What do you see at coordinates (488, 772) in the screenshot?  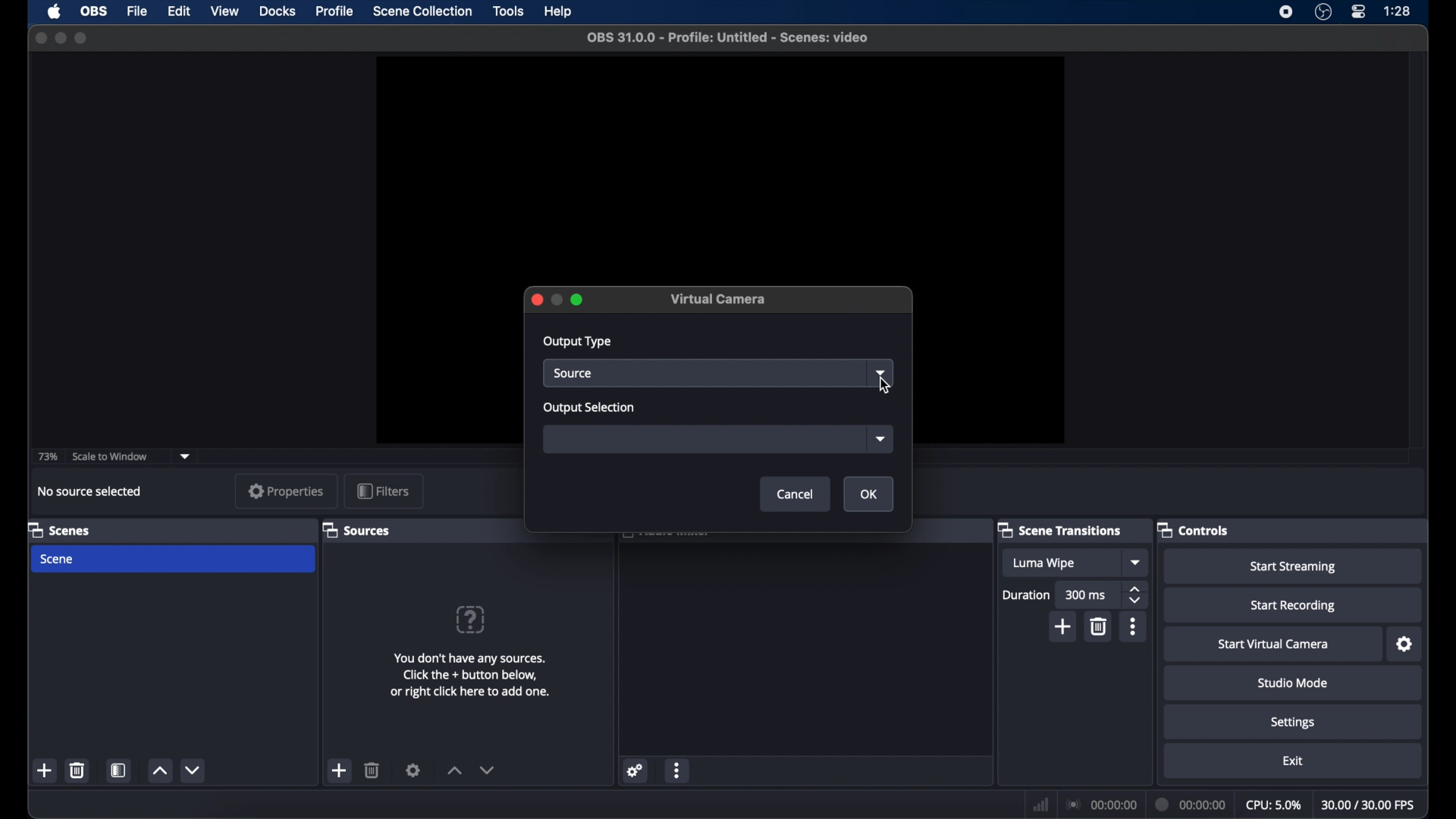 I see `decrement` at bounding box center [488, 772].